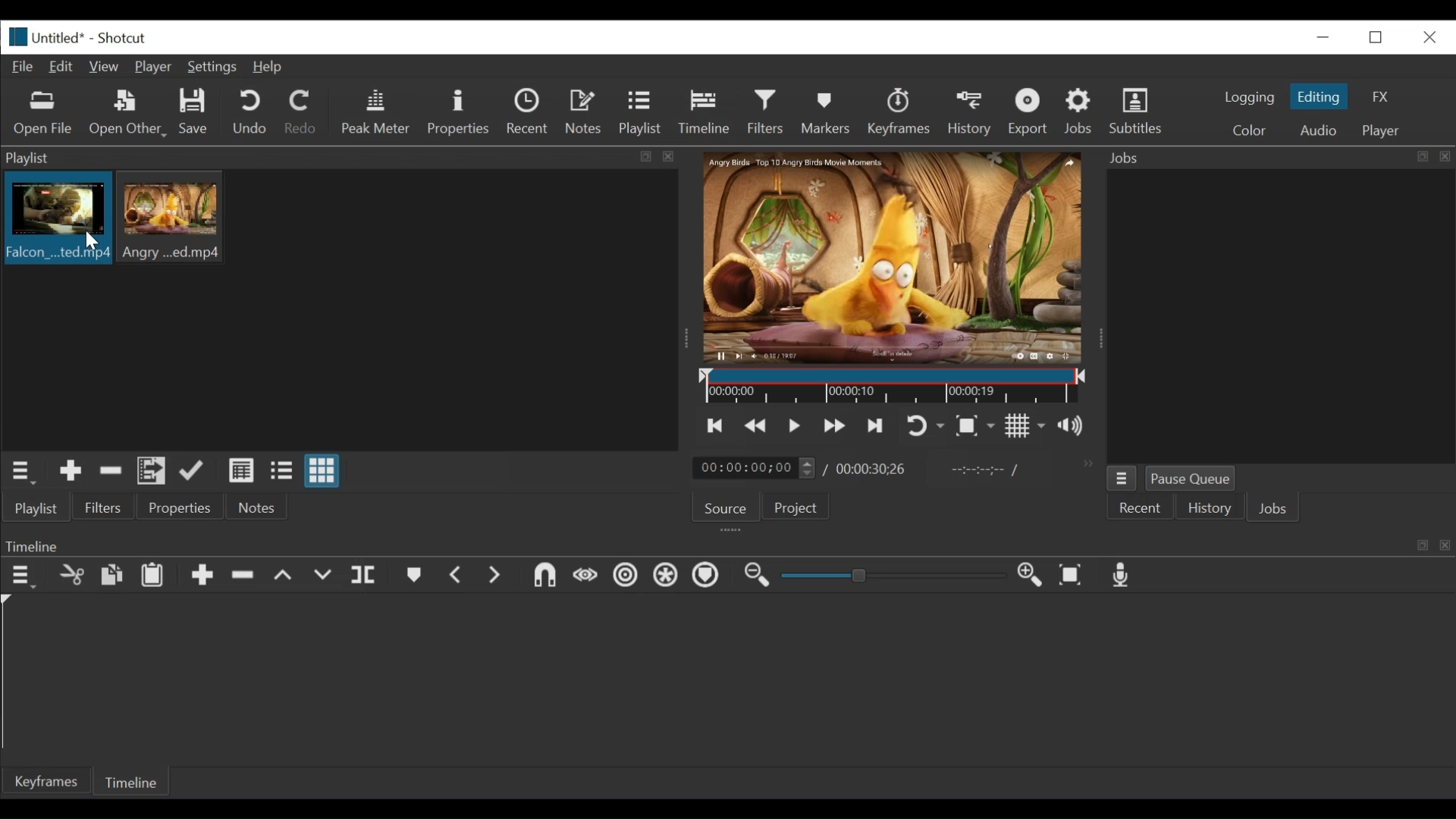  Describe the element at coordinates (1210, 510) in the screenshot. I see `History` at that location.